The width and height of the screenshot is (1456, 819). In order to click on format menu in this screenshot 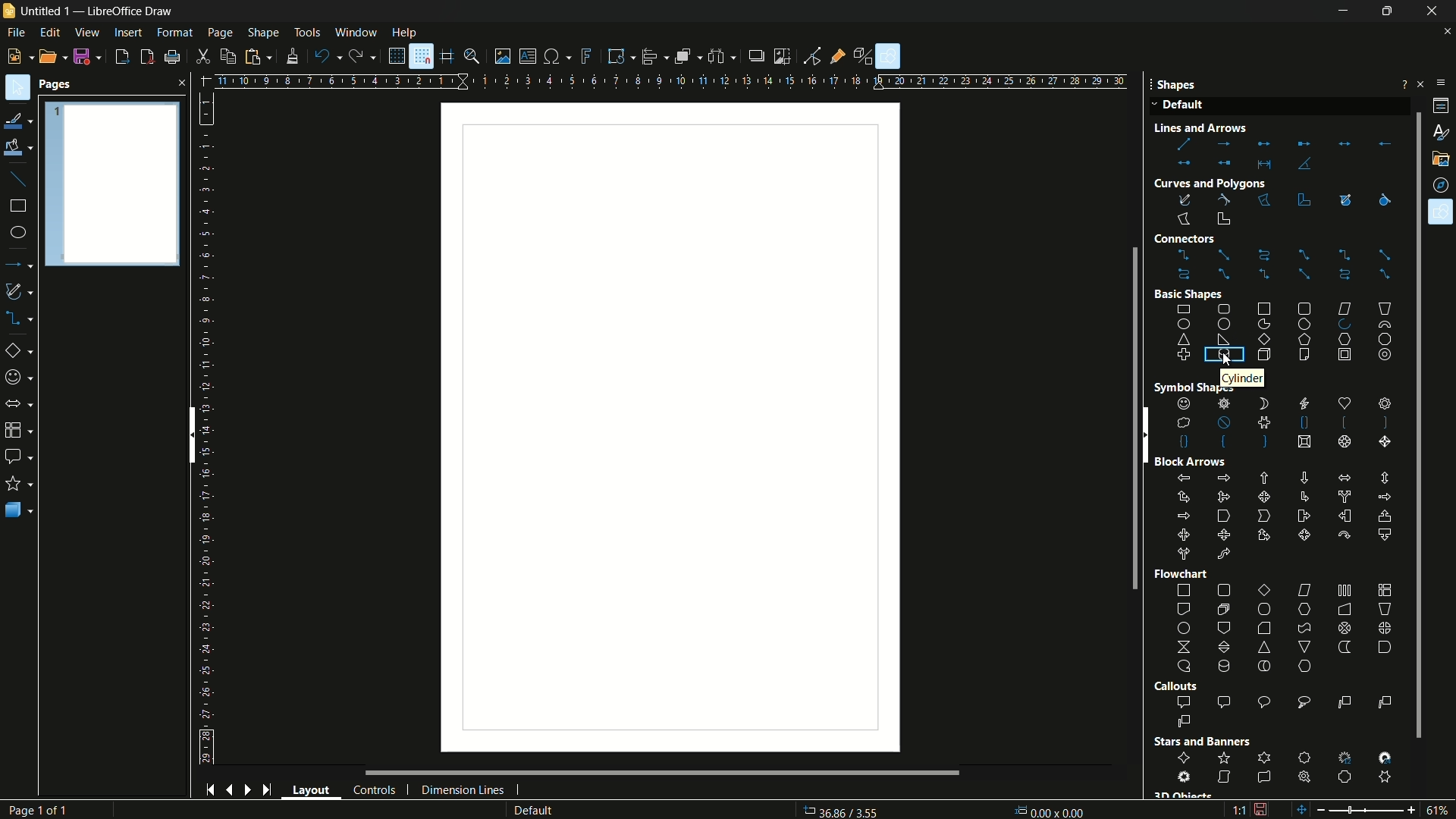, I will do `click(174, 33)`.